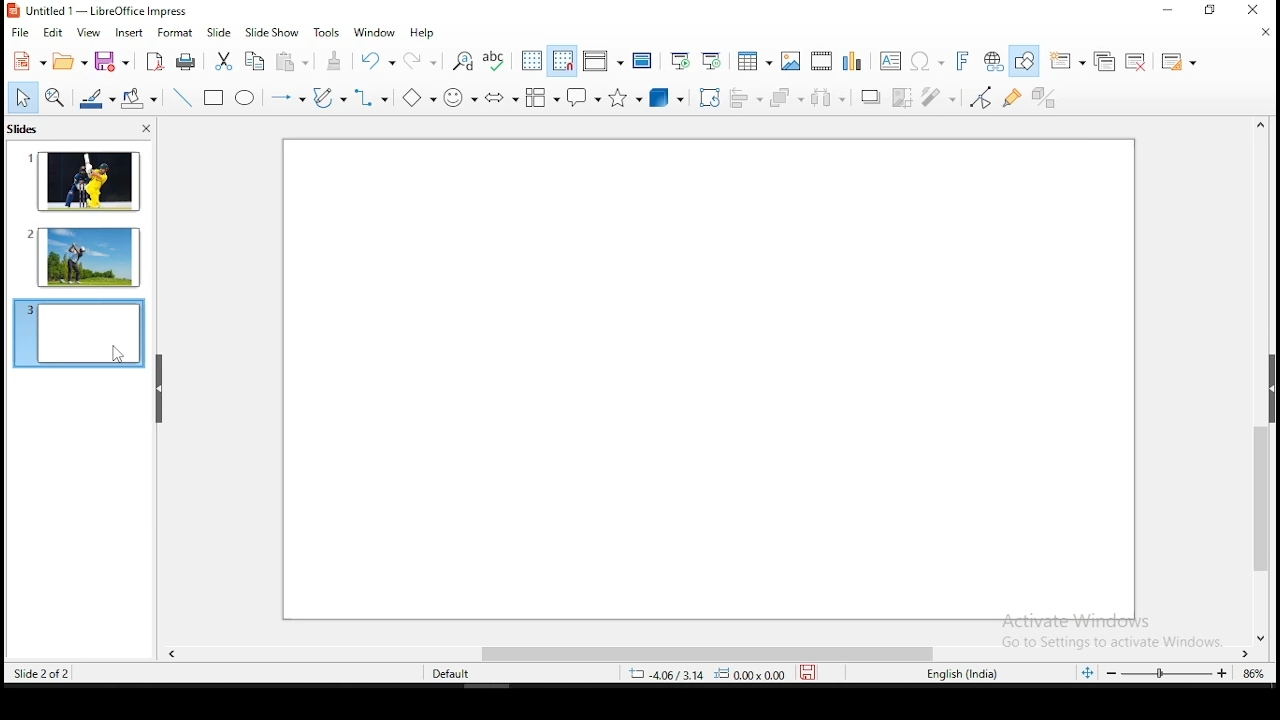 This screenshot has height=720, width=1280. What do you see at coordinates (328, 99) in the screenshot?
I see `curves and polygons` at bounding box center [328, 99].